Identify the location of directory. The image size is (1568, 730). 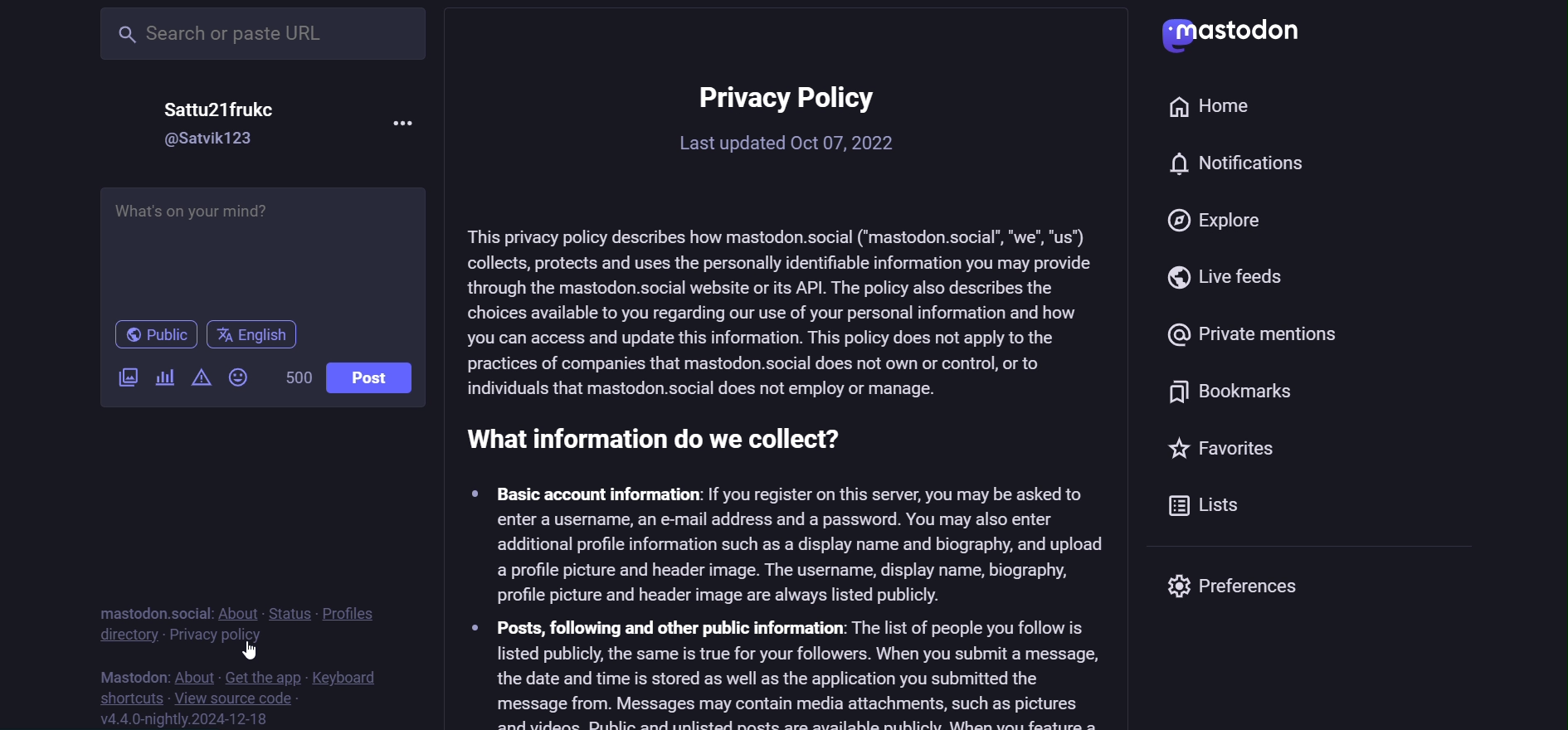
(123, 637).